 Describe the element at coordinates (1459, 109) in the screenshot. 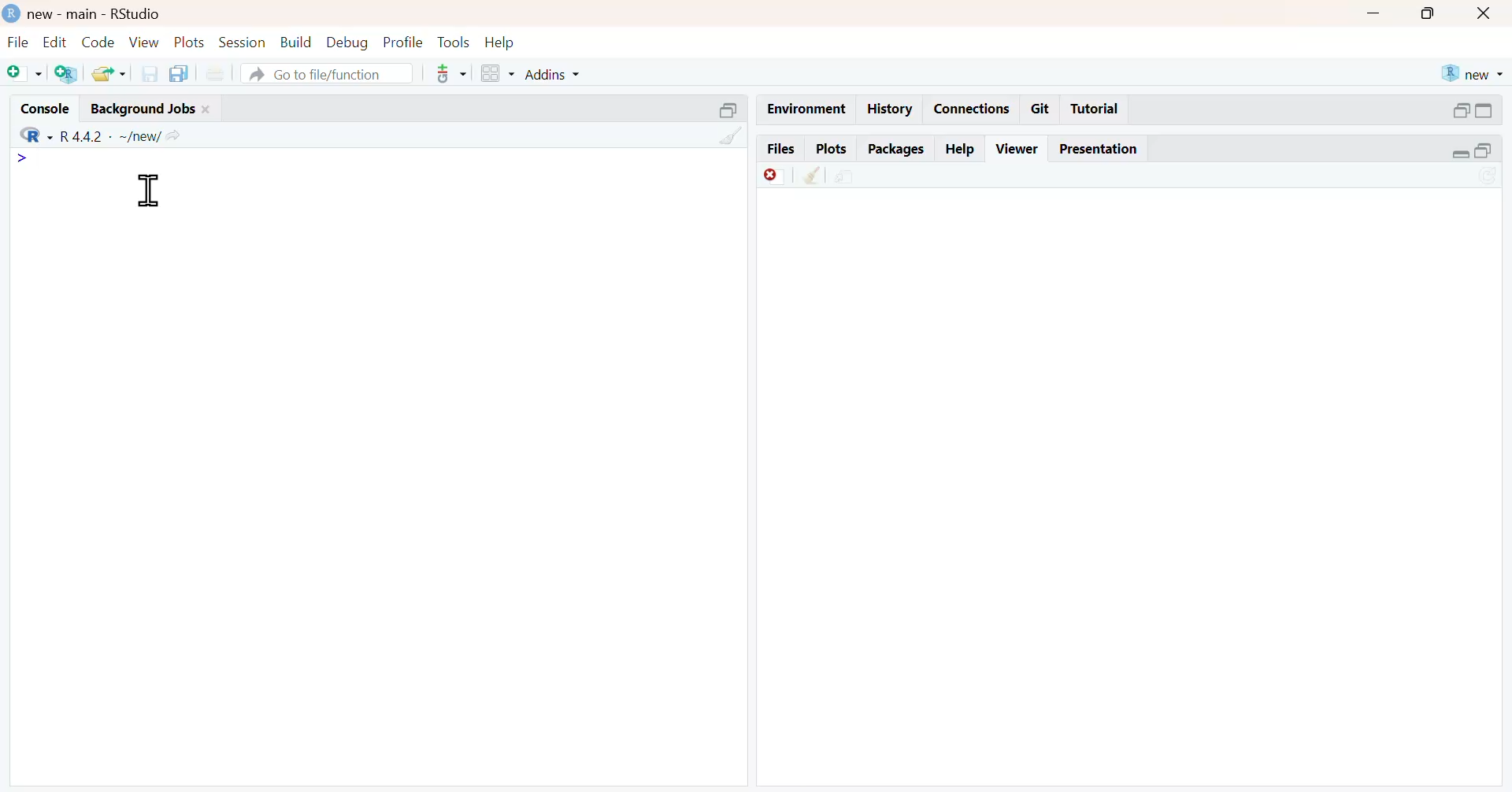

I see `minimize` at that location.